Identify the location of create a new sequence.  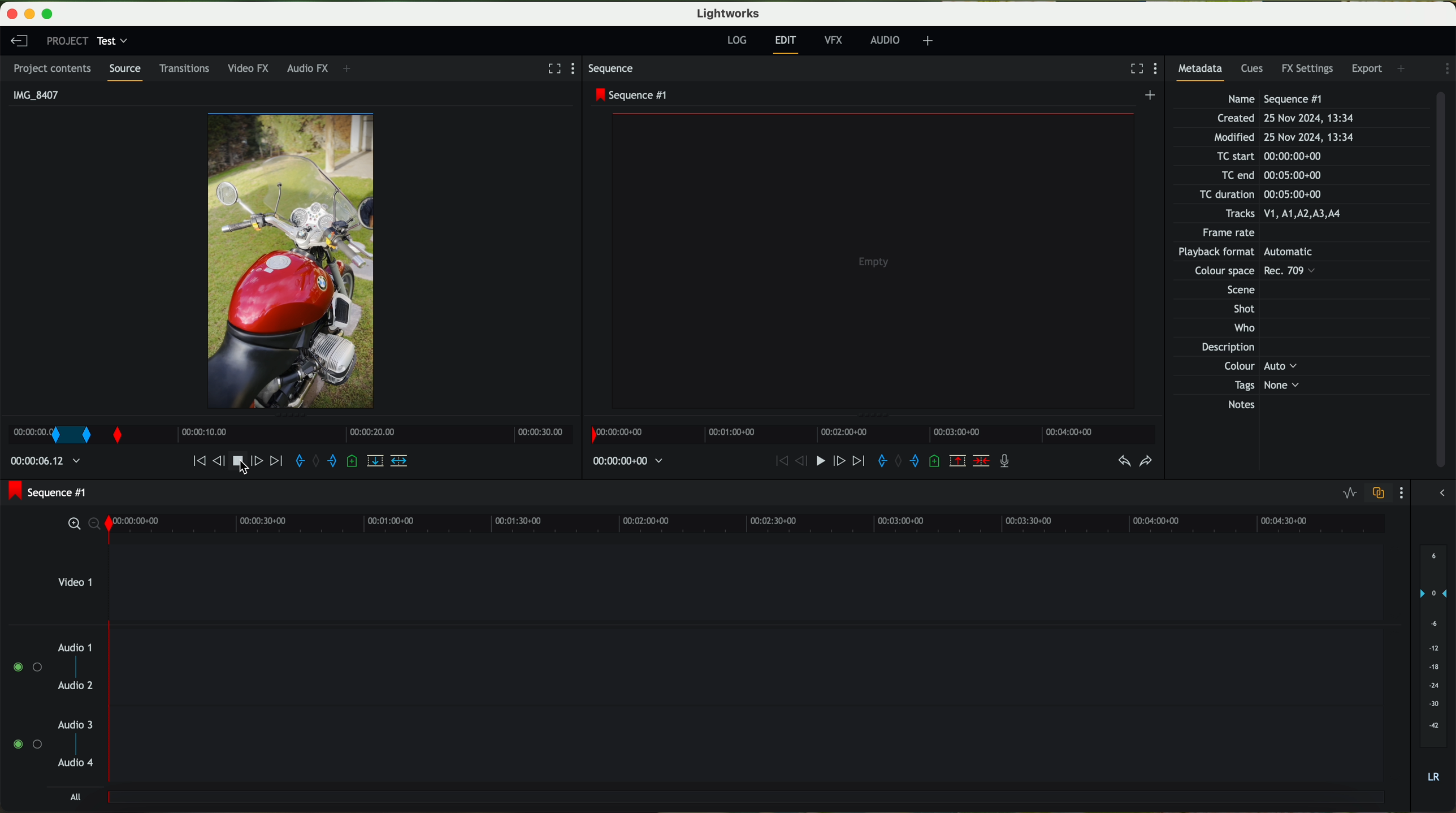
(1151, 97).